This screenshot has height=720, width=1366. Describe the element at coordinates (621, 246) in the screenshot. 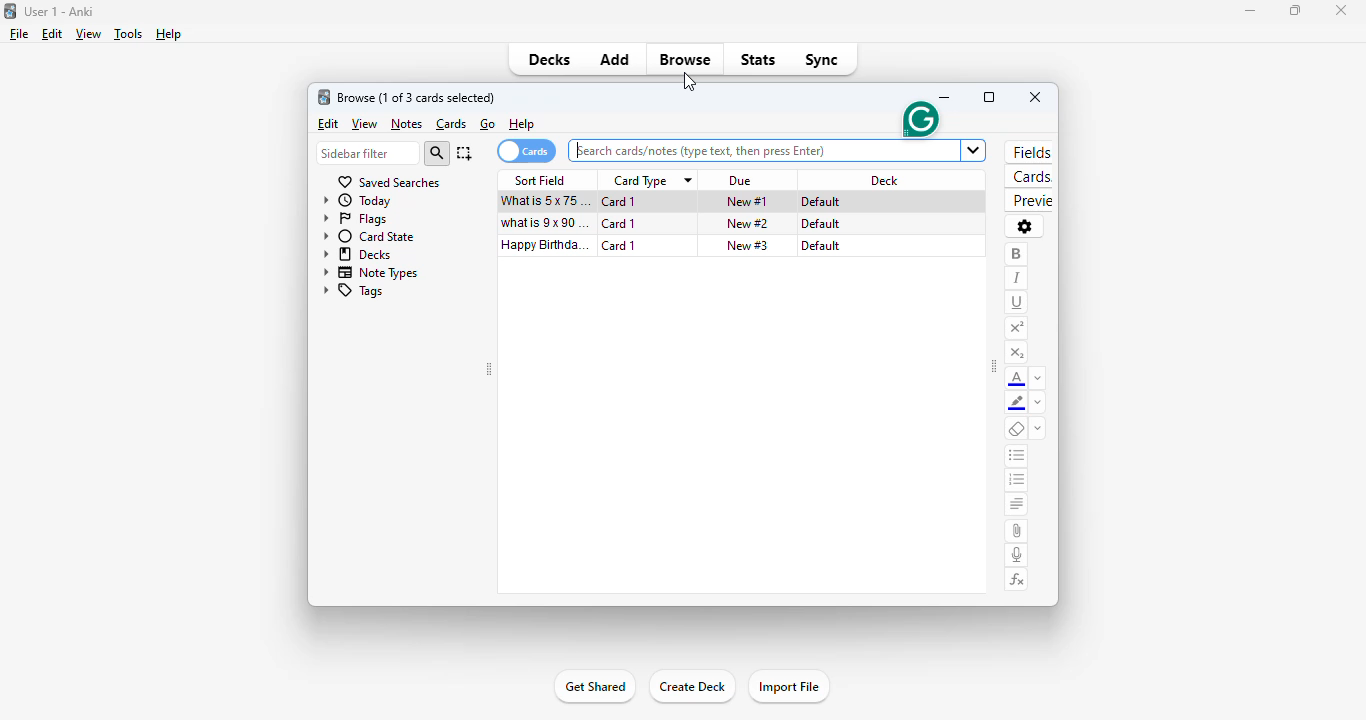

I see `card 2` at that location.